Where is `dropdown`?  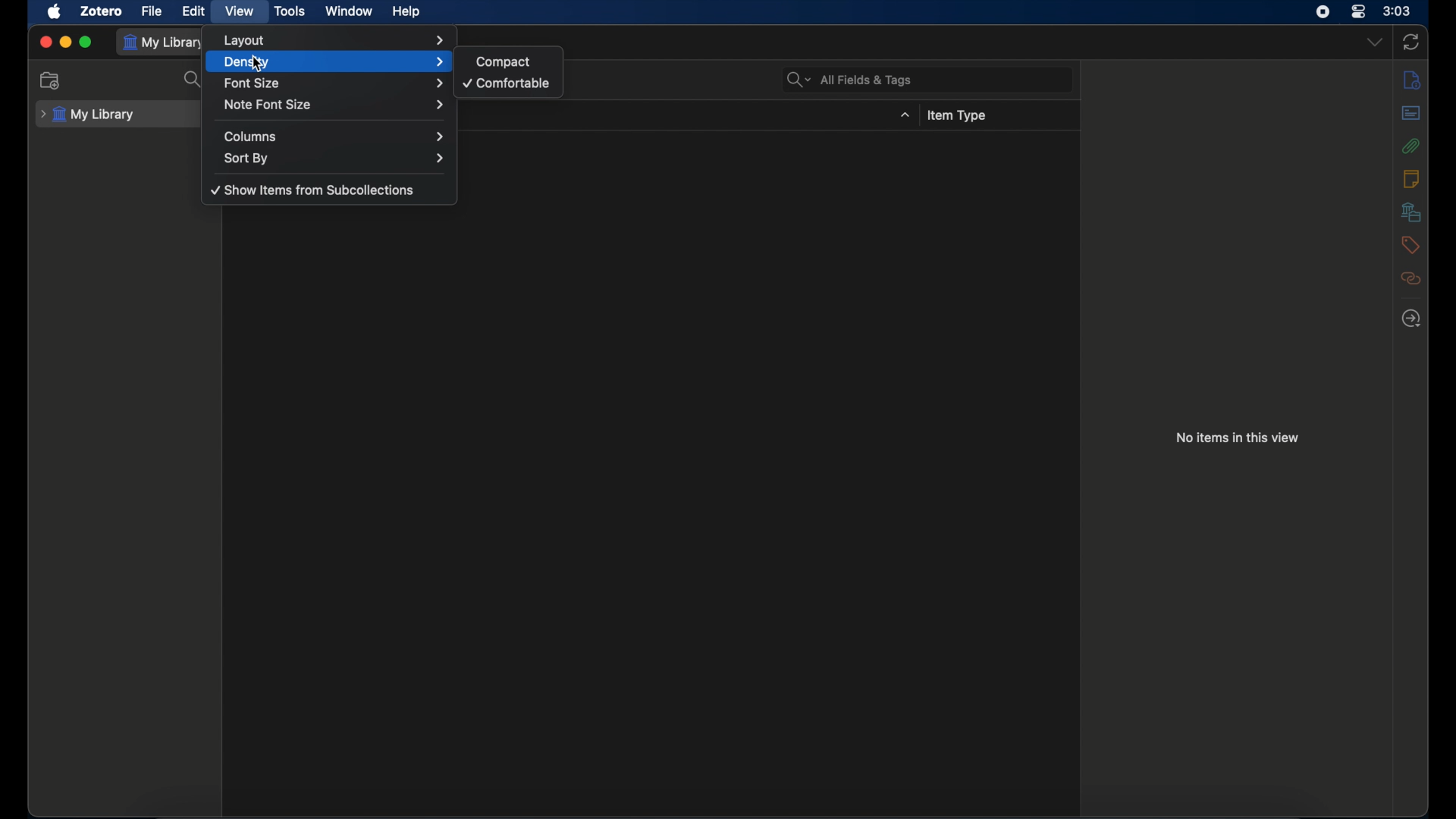
dropdown is located at coordinates (1374, 42).